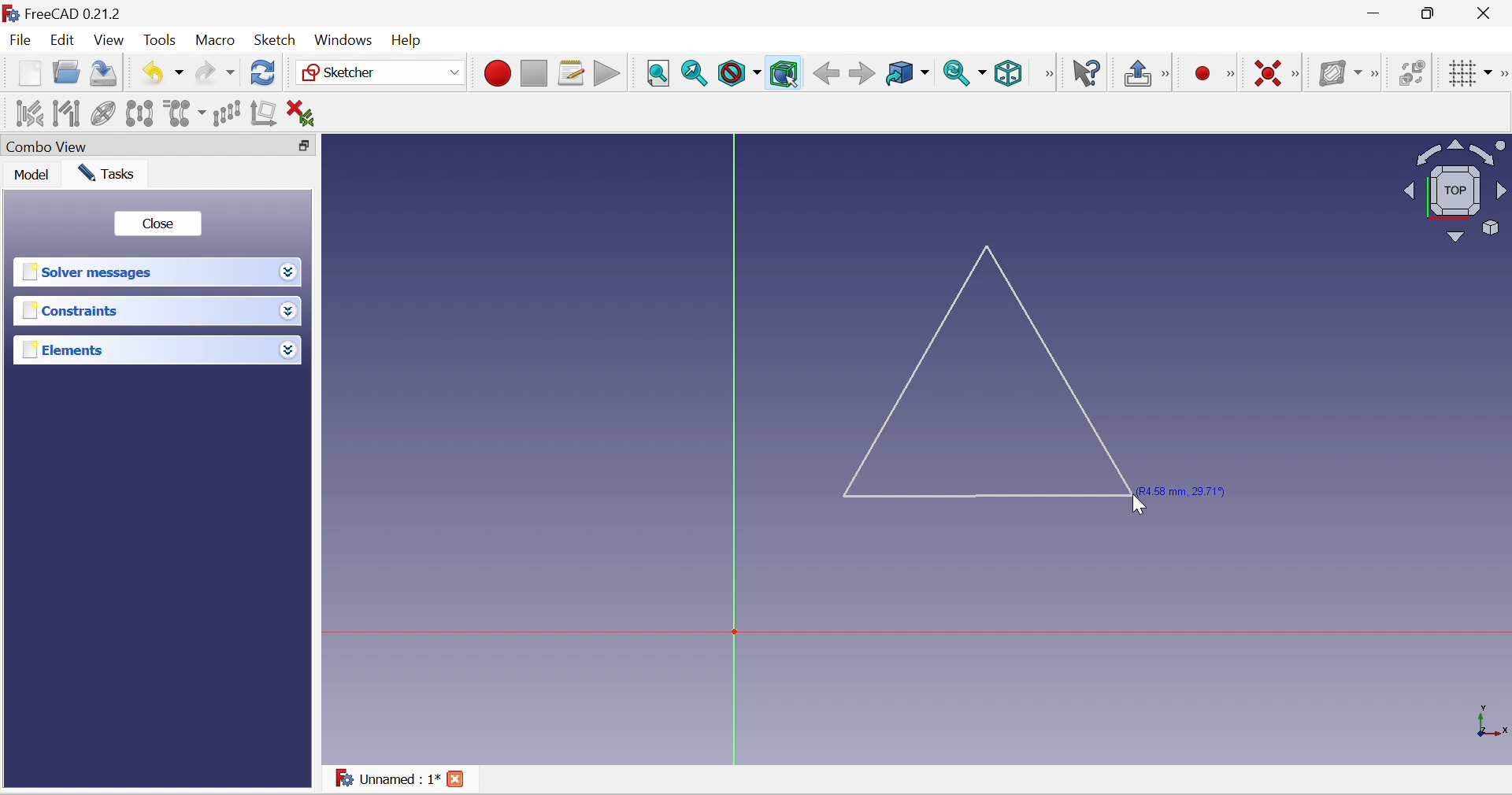 The image size is (1512, 795). Describe the element at coordinates (1488, 12) in the screenshot. I see `Close` at that location.